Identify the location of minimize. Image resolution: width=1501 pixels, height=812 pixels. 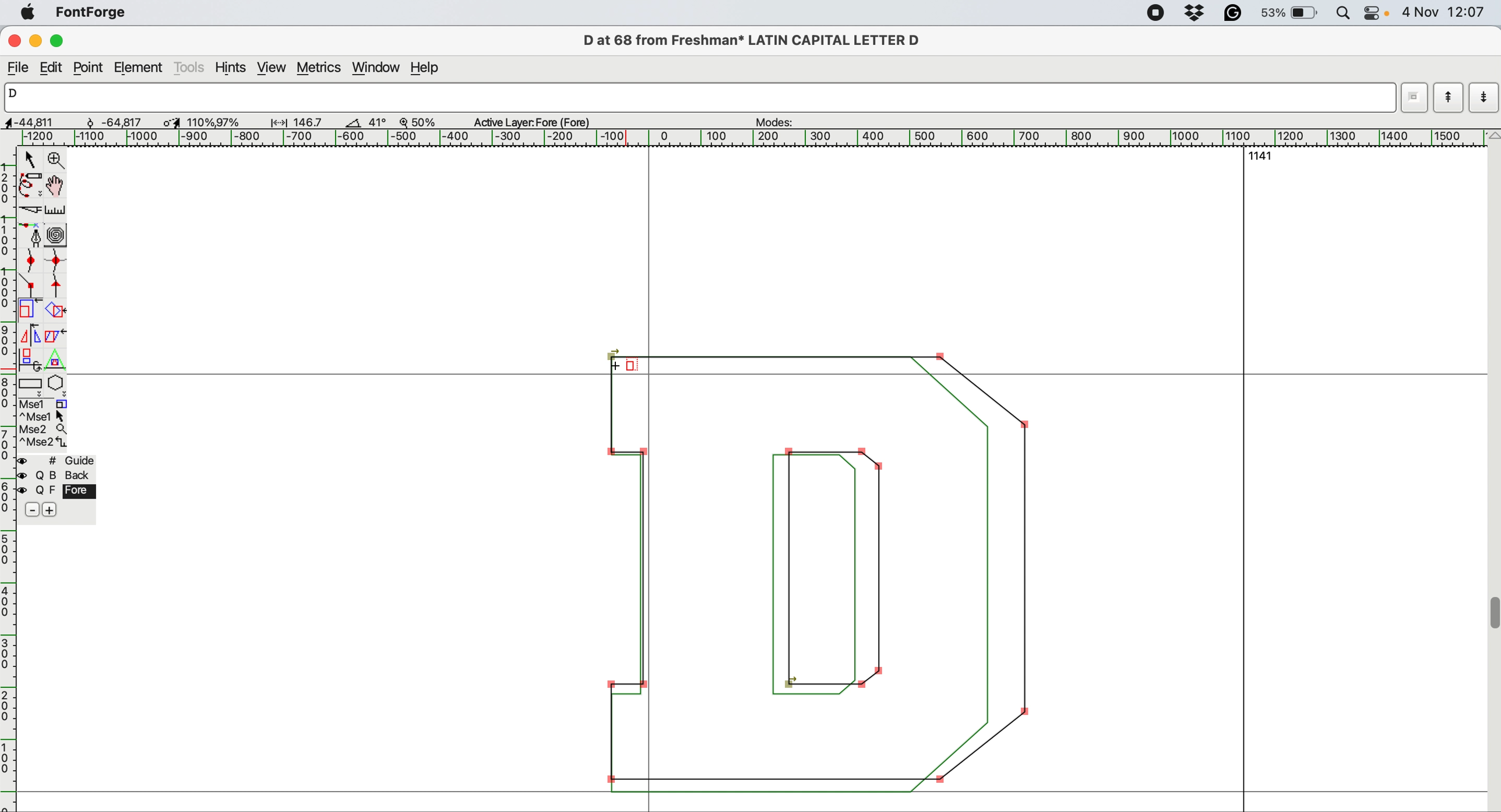
(37, 41).